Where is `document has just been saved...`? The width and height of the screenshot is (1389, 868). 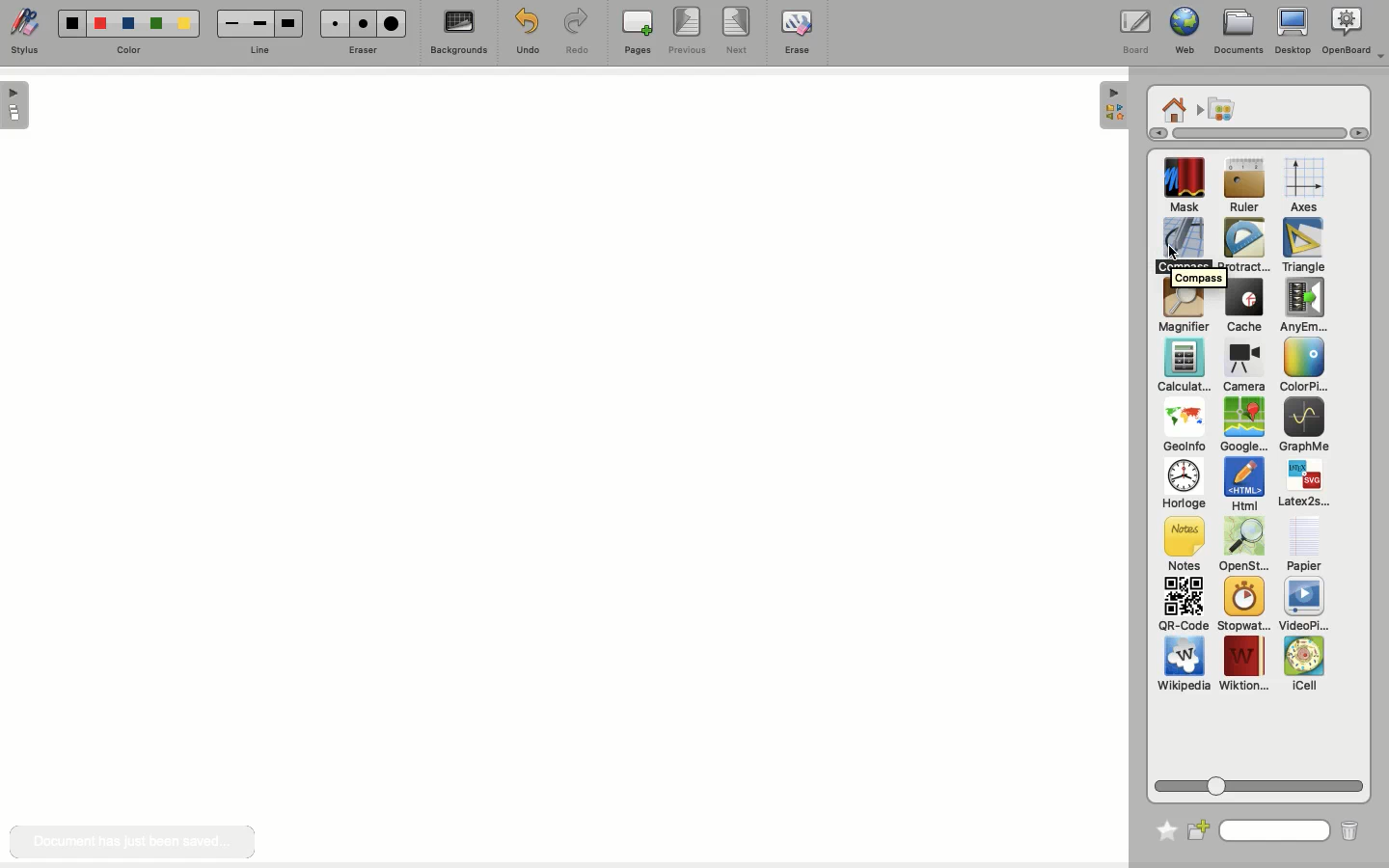 document has just been saved... is located at coordinates (131, 842).